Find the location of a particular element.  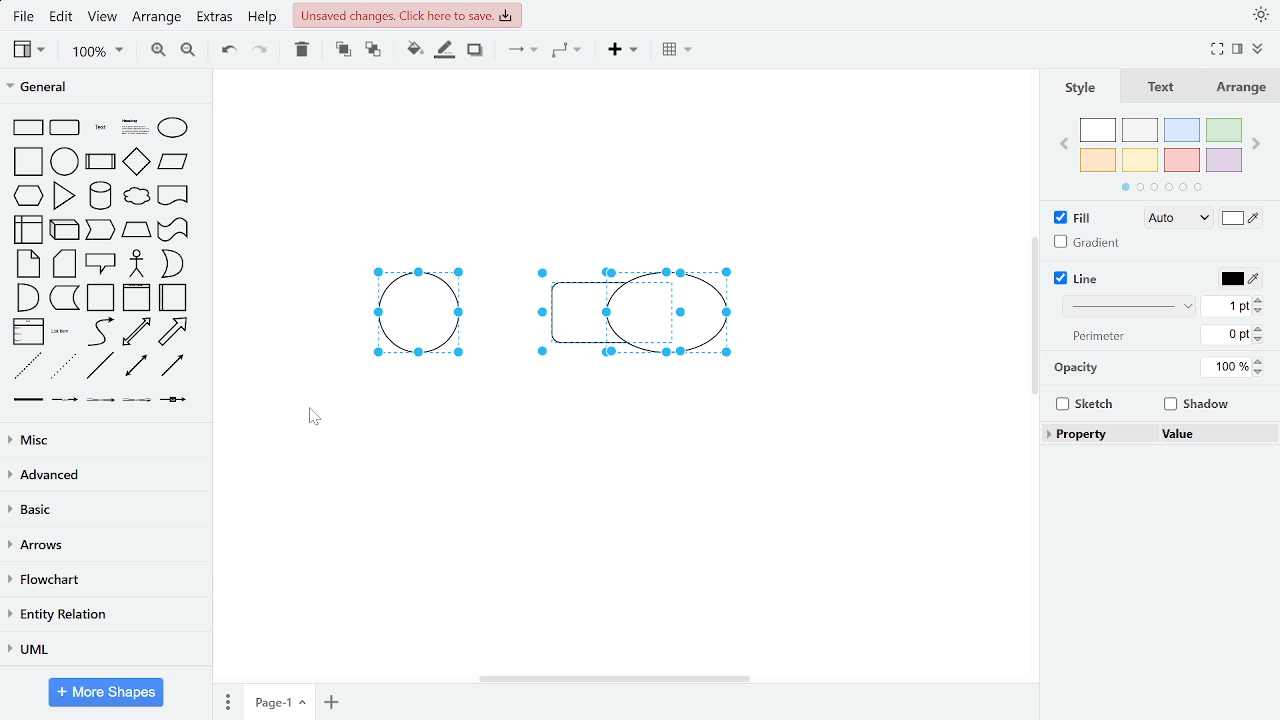

Page-1 is located at coordinates (279, 701).